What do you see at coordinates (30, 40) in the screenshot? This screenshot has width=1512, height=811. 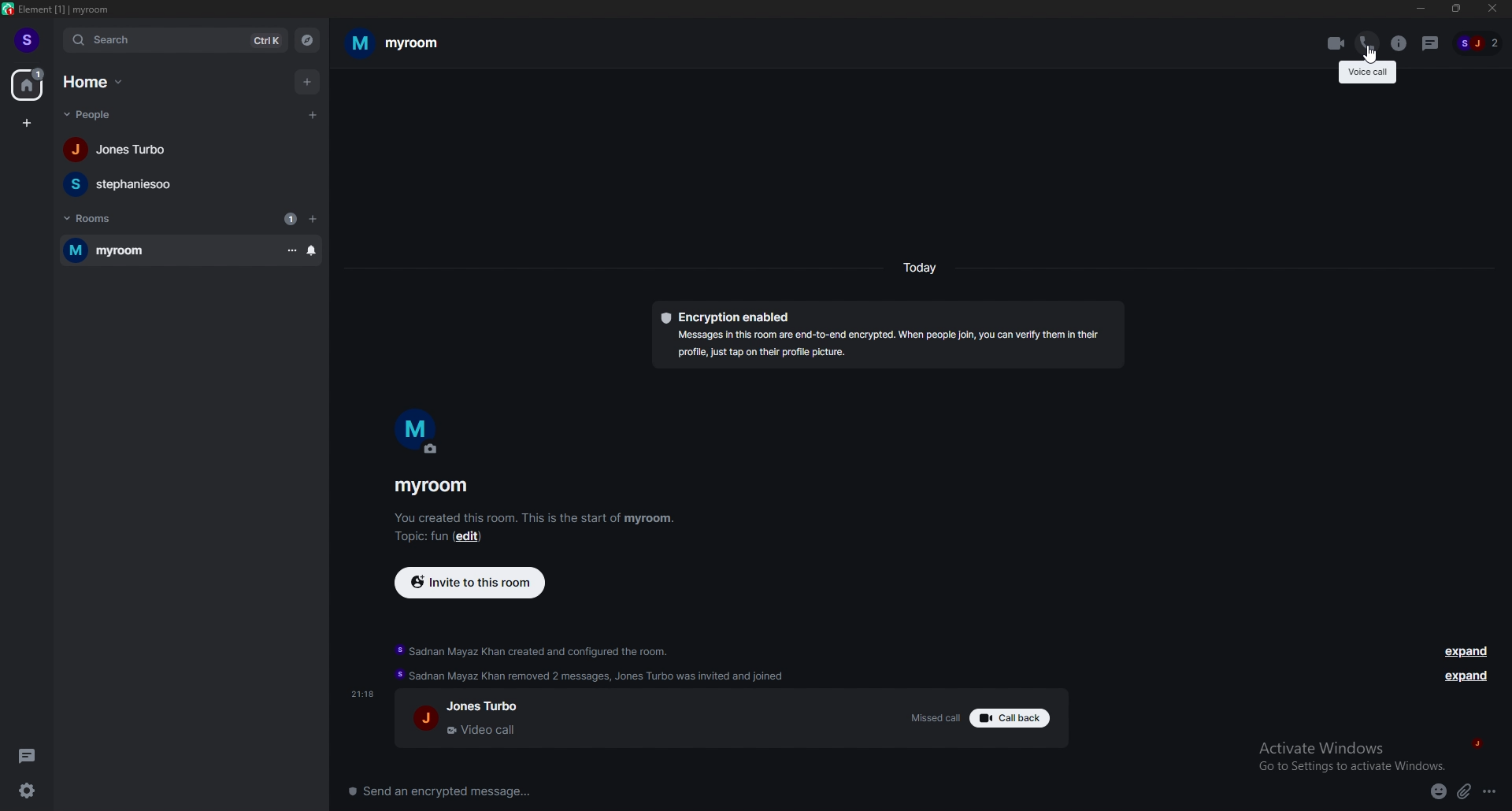 I see `profile` at bounding box center [30, 40].